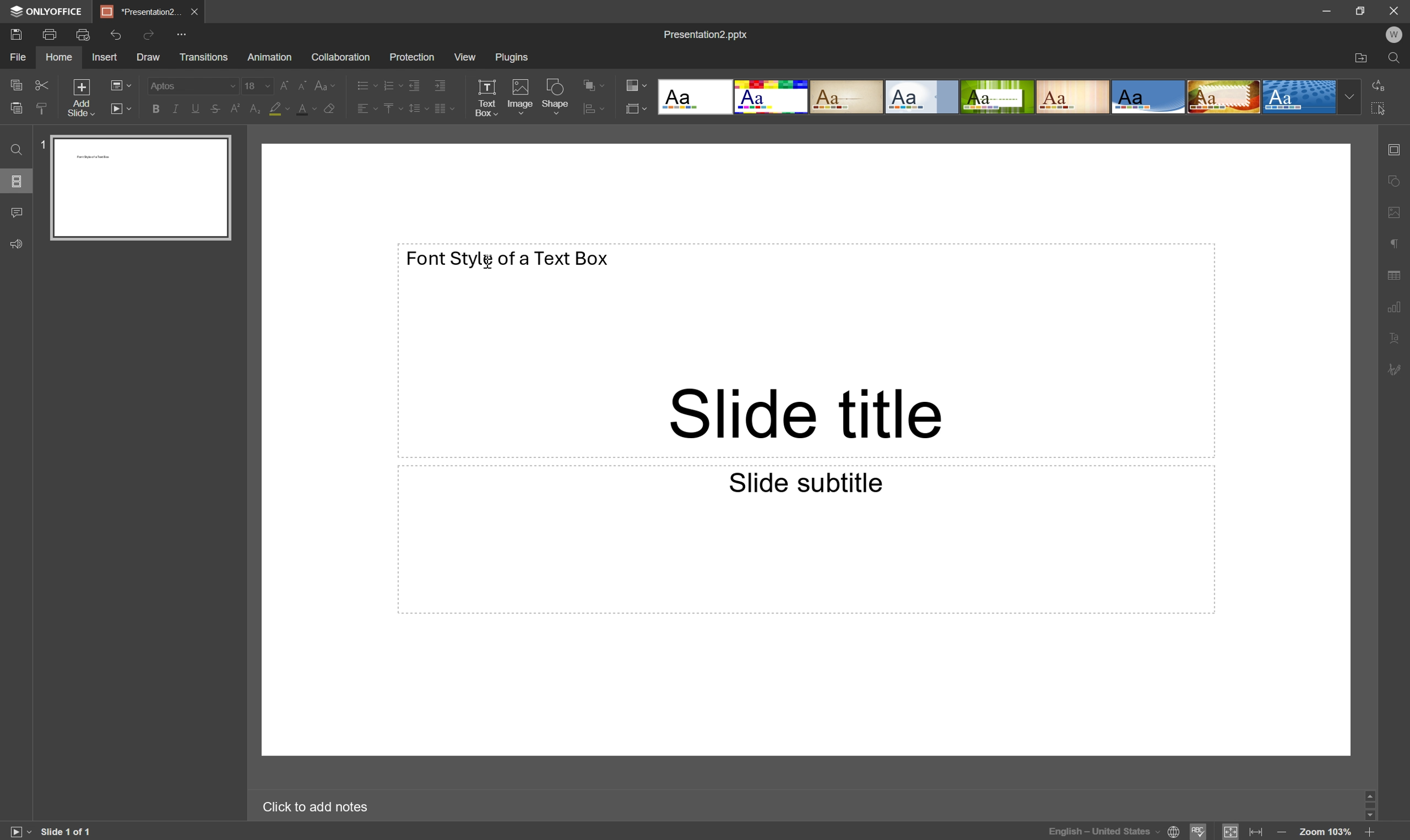 Image resolution: width=1410 pixels, height=840 pixels. Describe the element at coordinates (216, 108) in the screenshot. I see `Strikethrough` at that location.